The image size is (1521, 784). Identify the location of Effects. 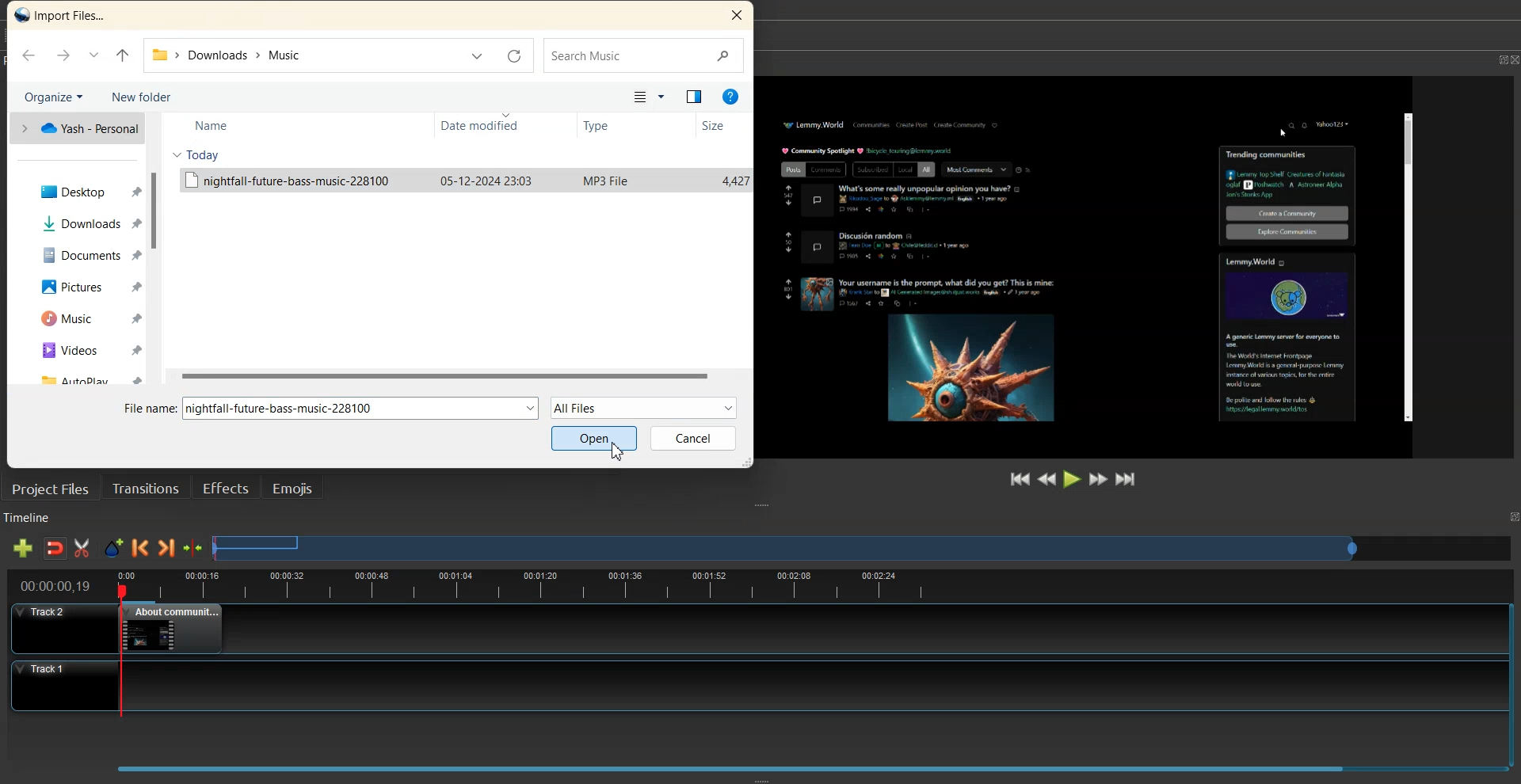
(225, 486).